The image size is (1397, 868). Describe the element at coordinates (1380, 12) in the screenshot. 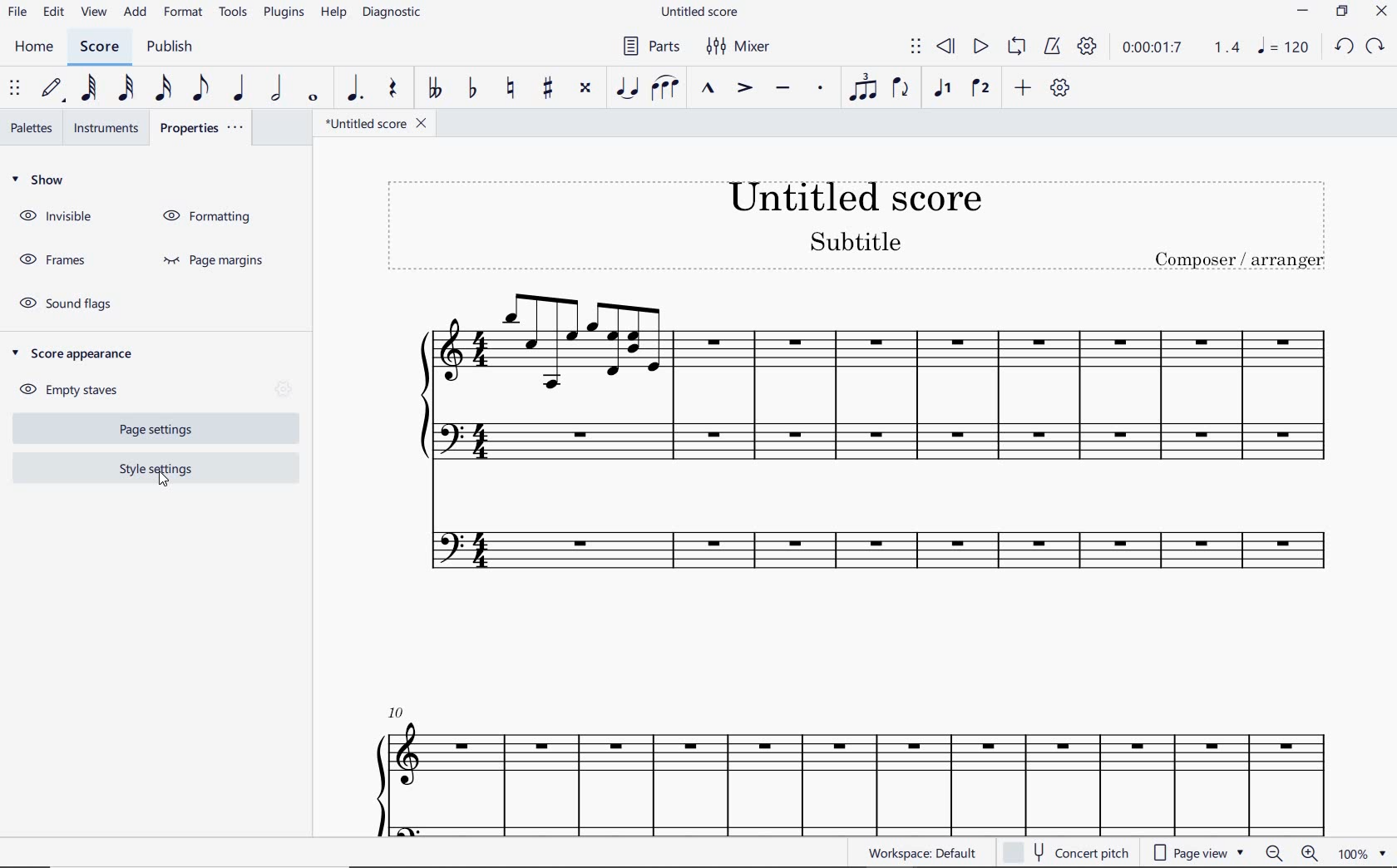

I see `CLOSE` at that location.